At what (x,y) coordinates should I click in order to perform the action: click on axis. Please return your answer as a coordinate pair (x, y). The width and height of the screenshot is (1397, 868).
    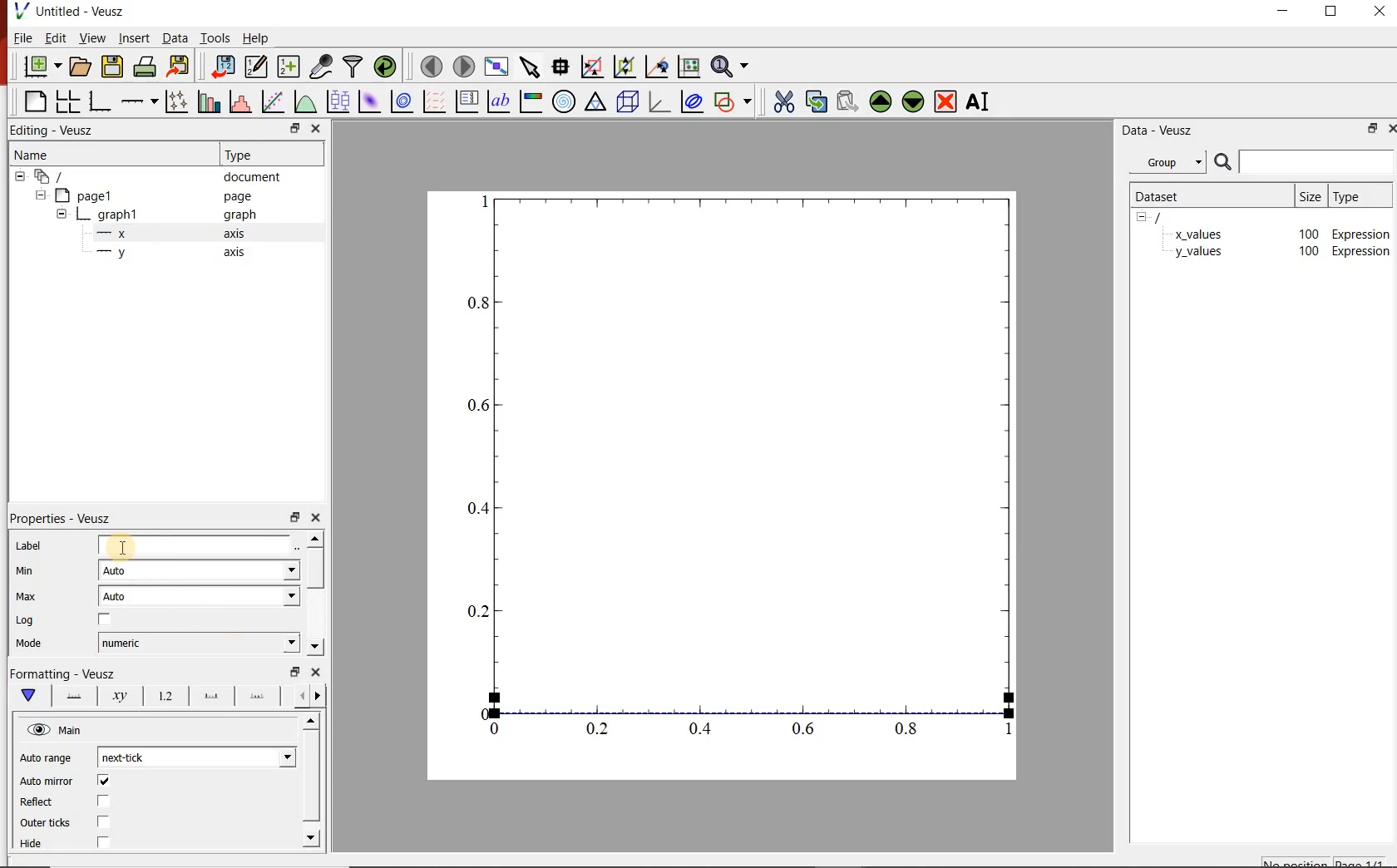
    Looking at the image, I should click on (234, 253).